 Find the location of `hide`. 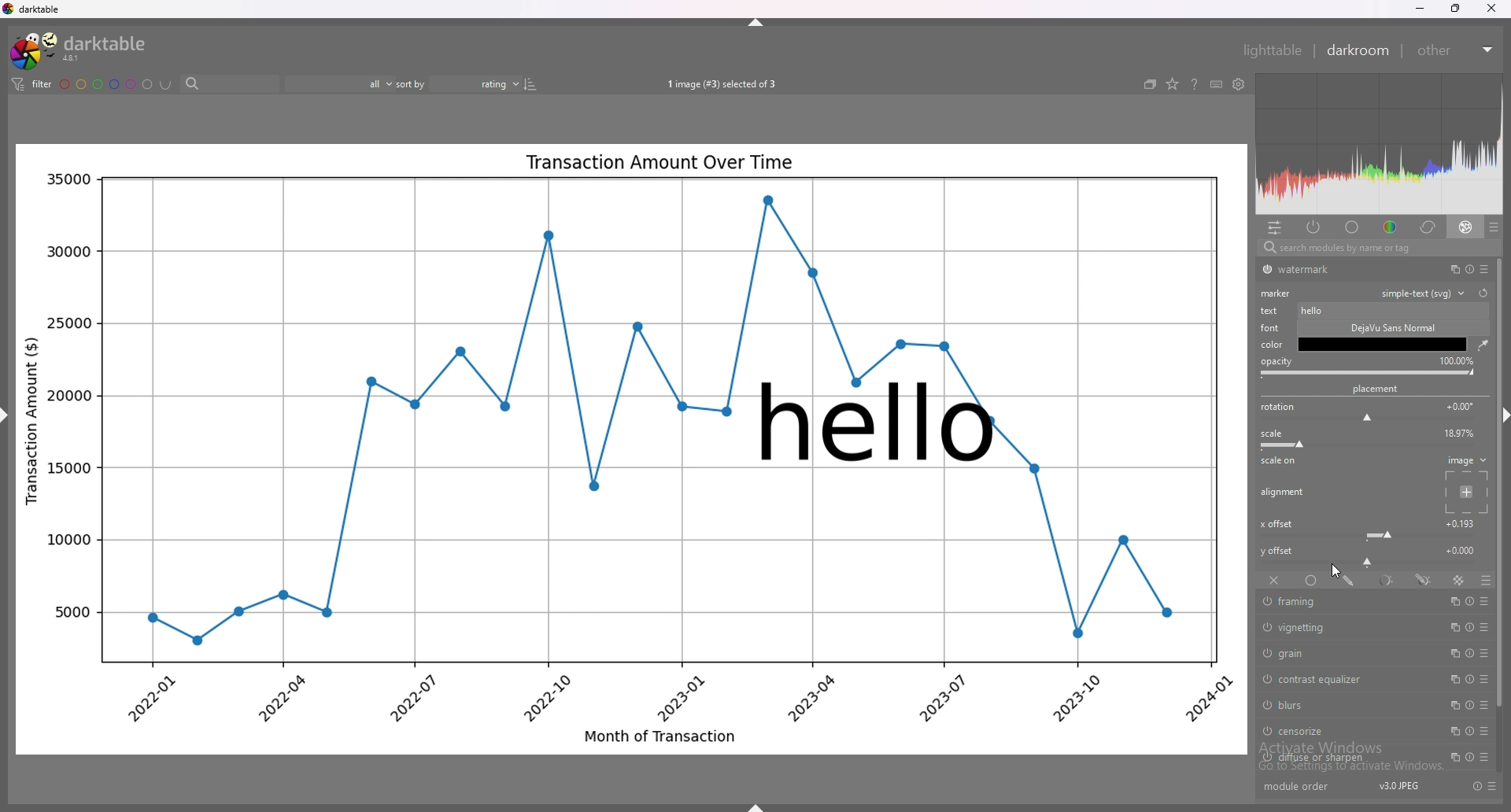

hide is located at coordinates (1502, 418).